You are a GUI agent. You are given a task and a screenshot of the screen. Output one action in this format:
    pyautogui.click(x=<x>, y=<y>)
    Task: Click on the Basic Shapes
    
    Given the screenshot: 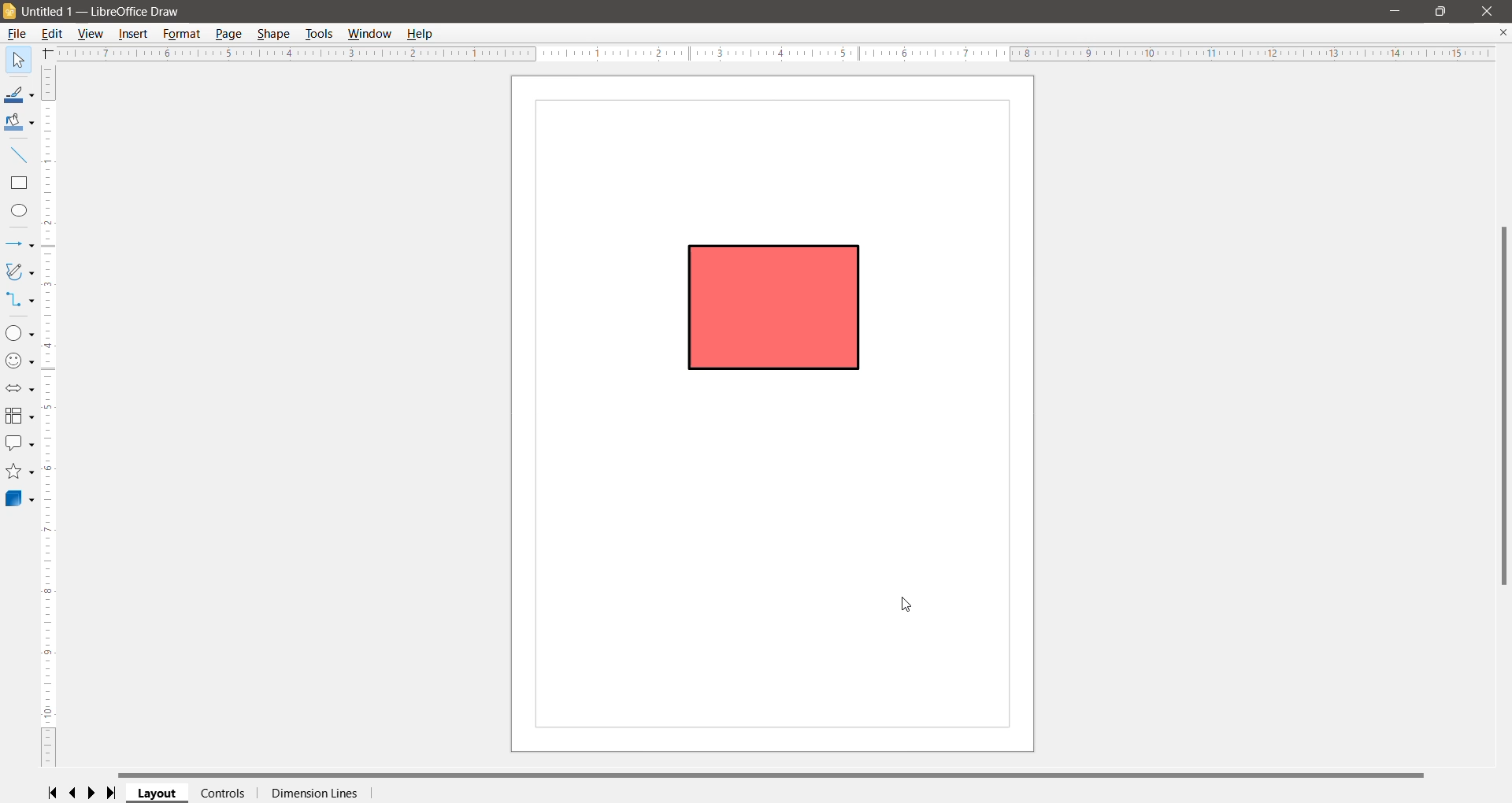 What is the action you would take?
    pyautogui.click(x=20, y=333)
    